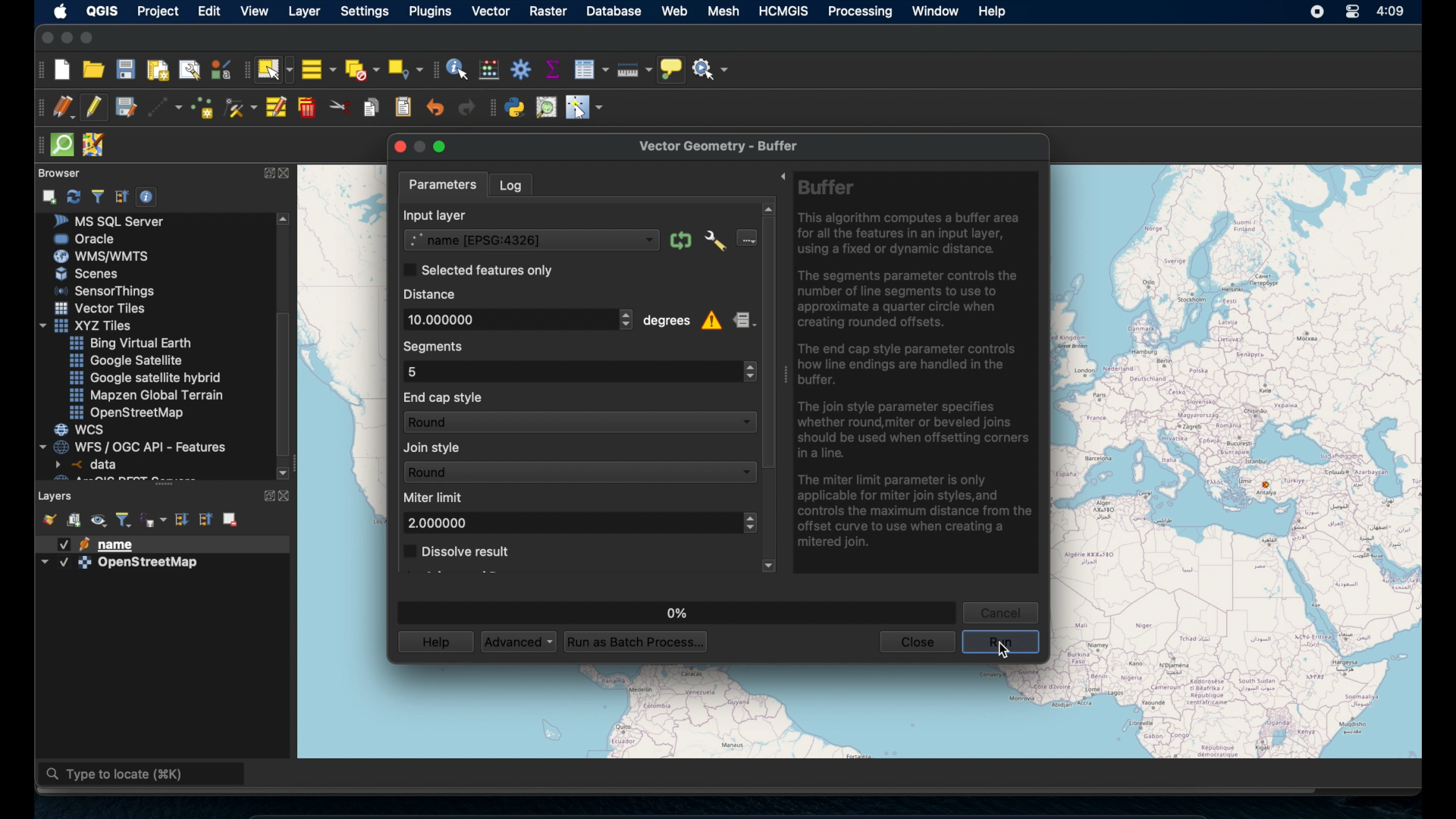  Describe the element at coordinates (89, 464) in the screenshot. I see `data` at that location.